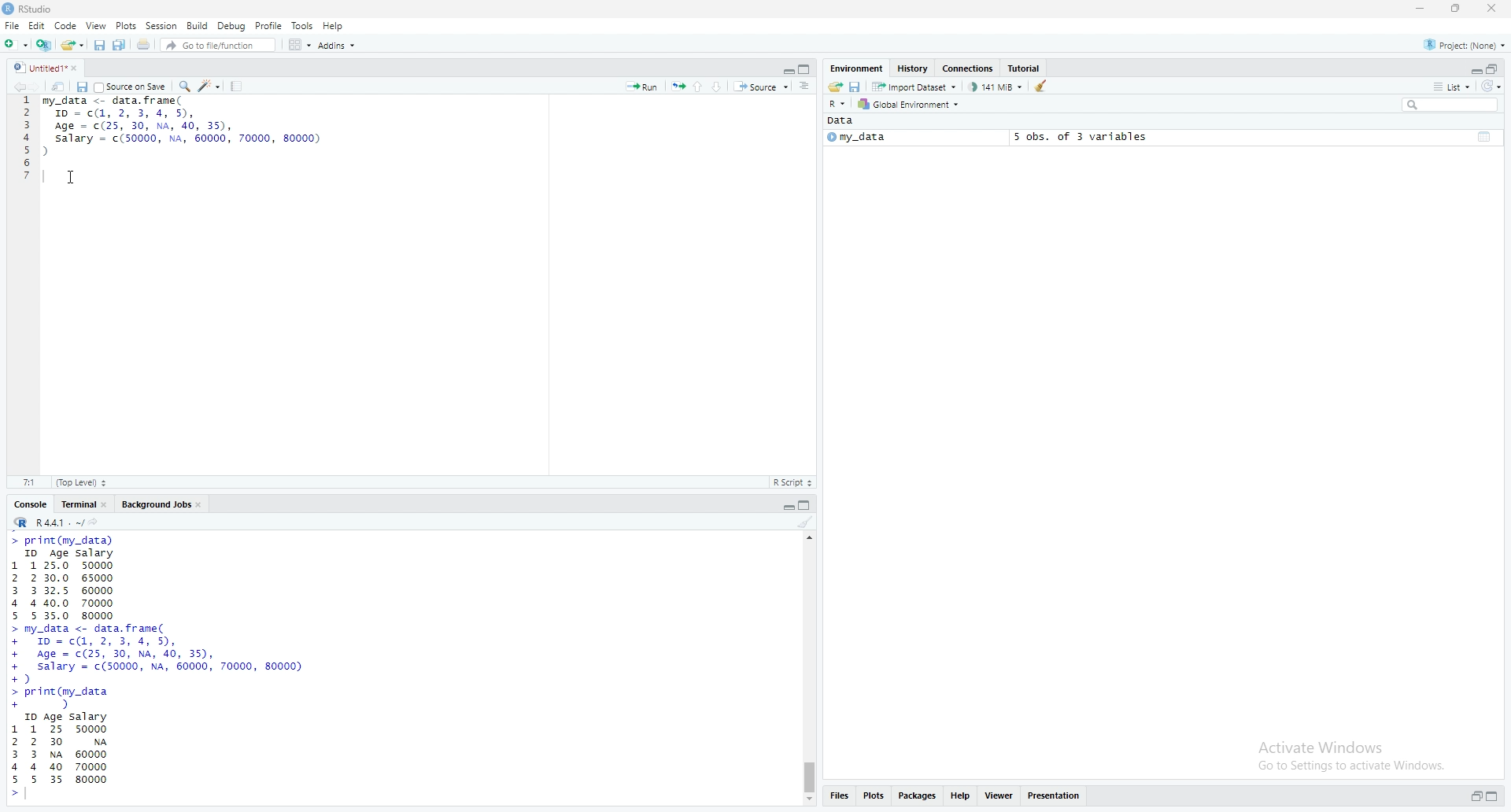 The height and width of the screenshot is (812, 1511). Describe the element at coordinates (86, 481) in the screenshot. I see `top level` at that location.